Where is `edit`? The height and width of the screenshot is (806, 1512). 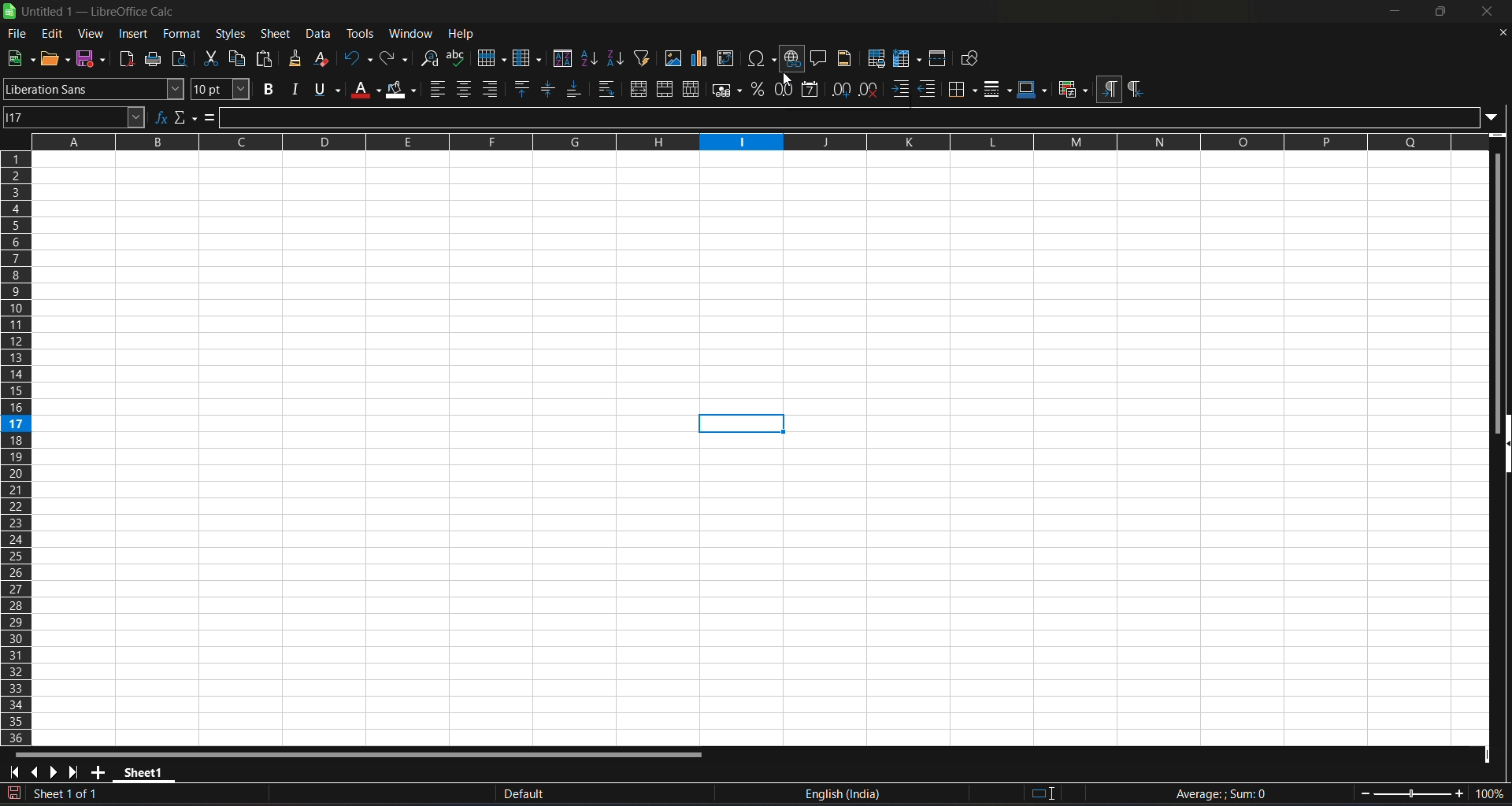 edit is located at coordinates (53, 34).